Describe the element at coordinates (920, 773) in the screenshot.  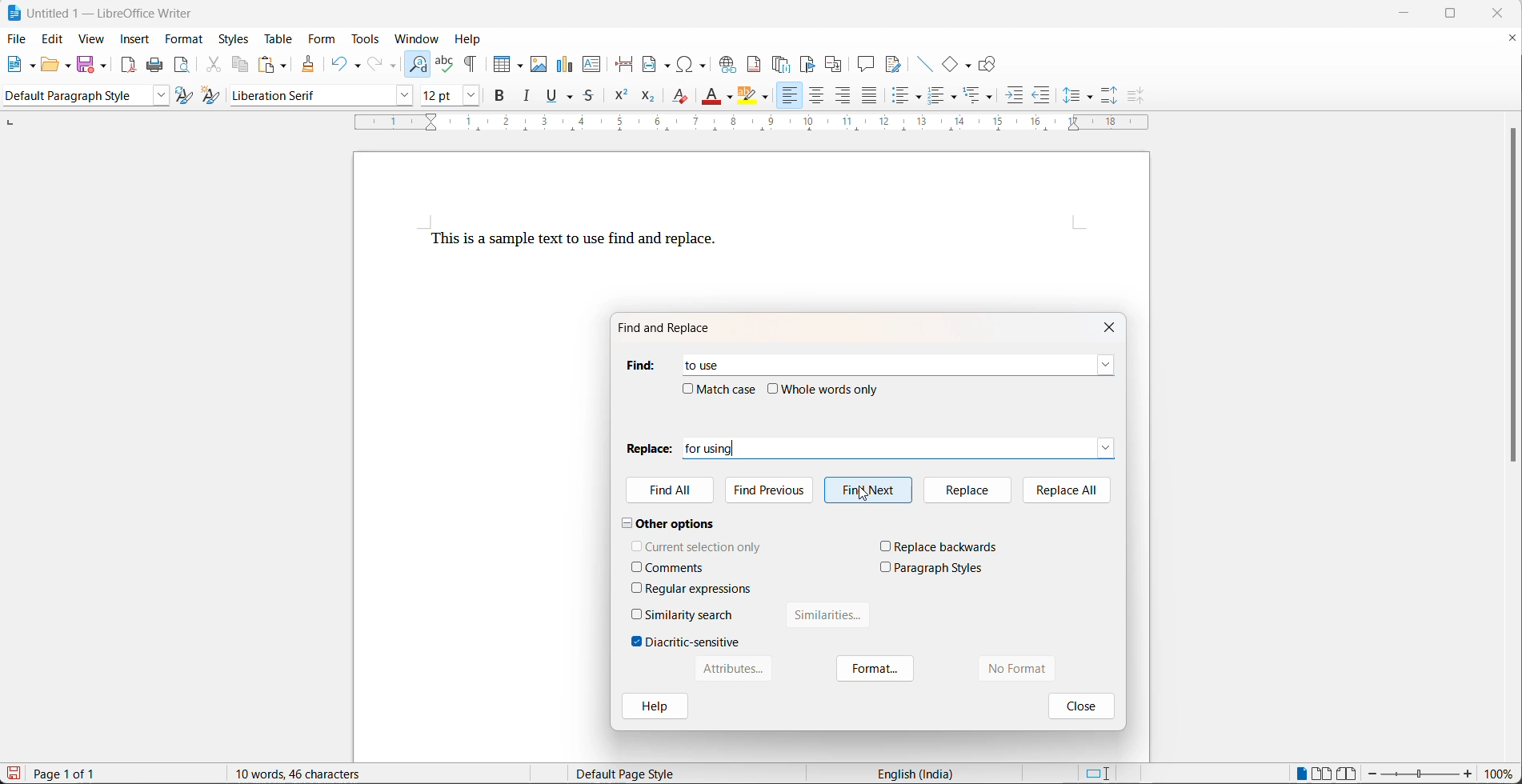
I see `English (India)` at that location.